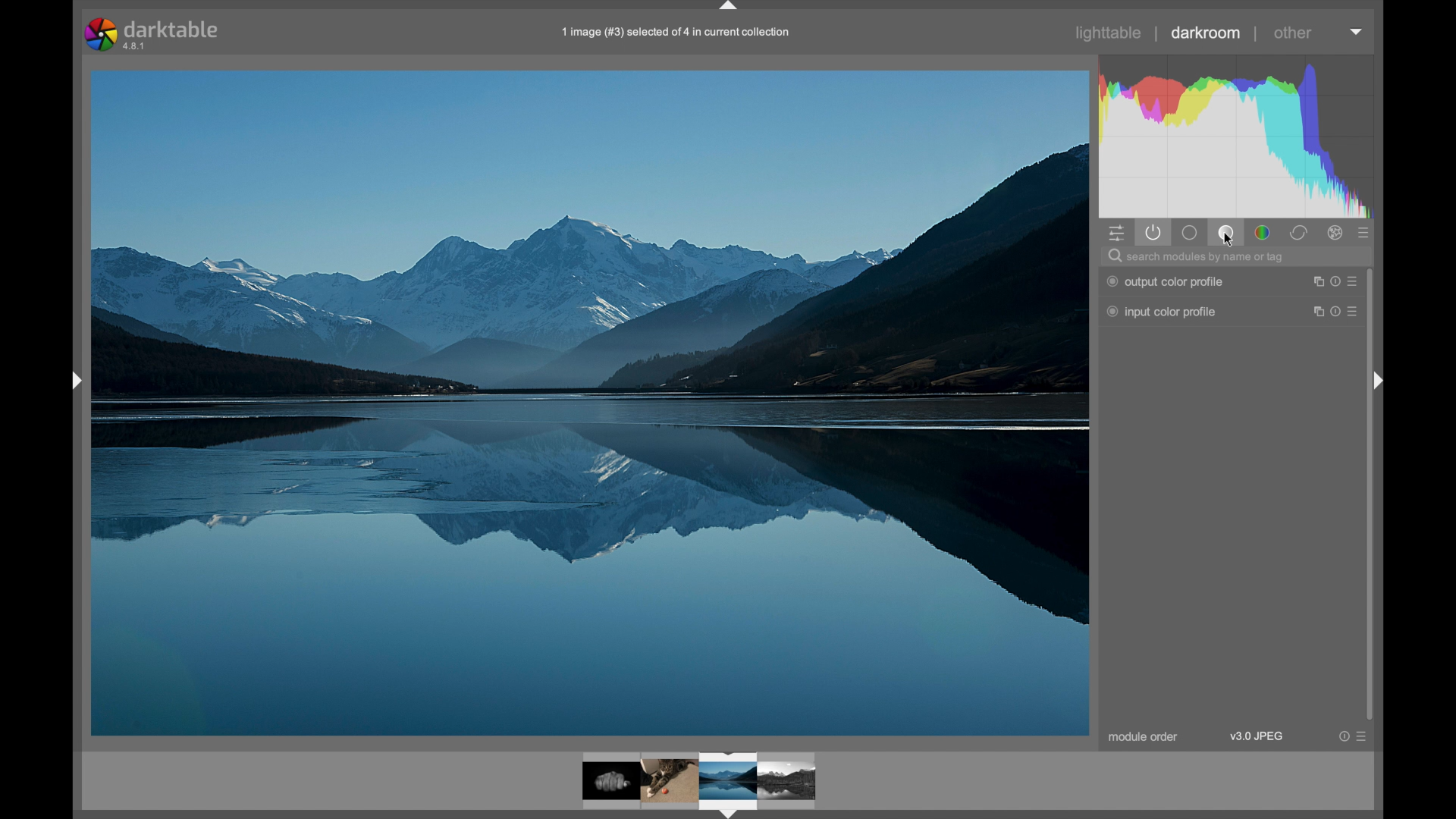 The height and width of the screenshot is (819, 1456). Describe the element at coordinates (1335, 233) in the screenshot. I see `effect` at that location.